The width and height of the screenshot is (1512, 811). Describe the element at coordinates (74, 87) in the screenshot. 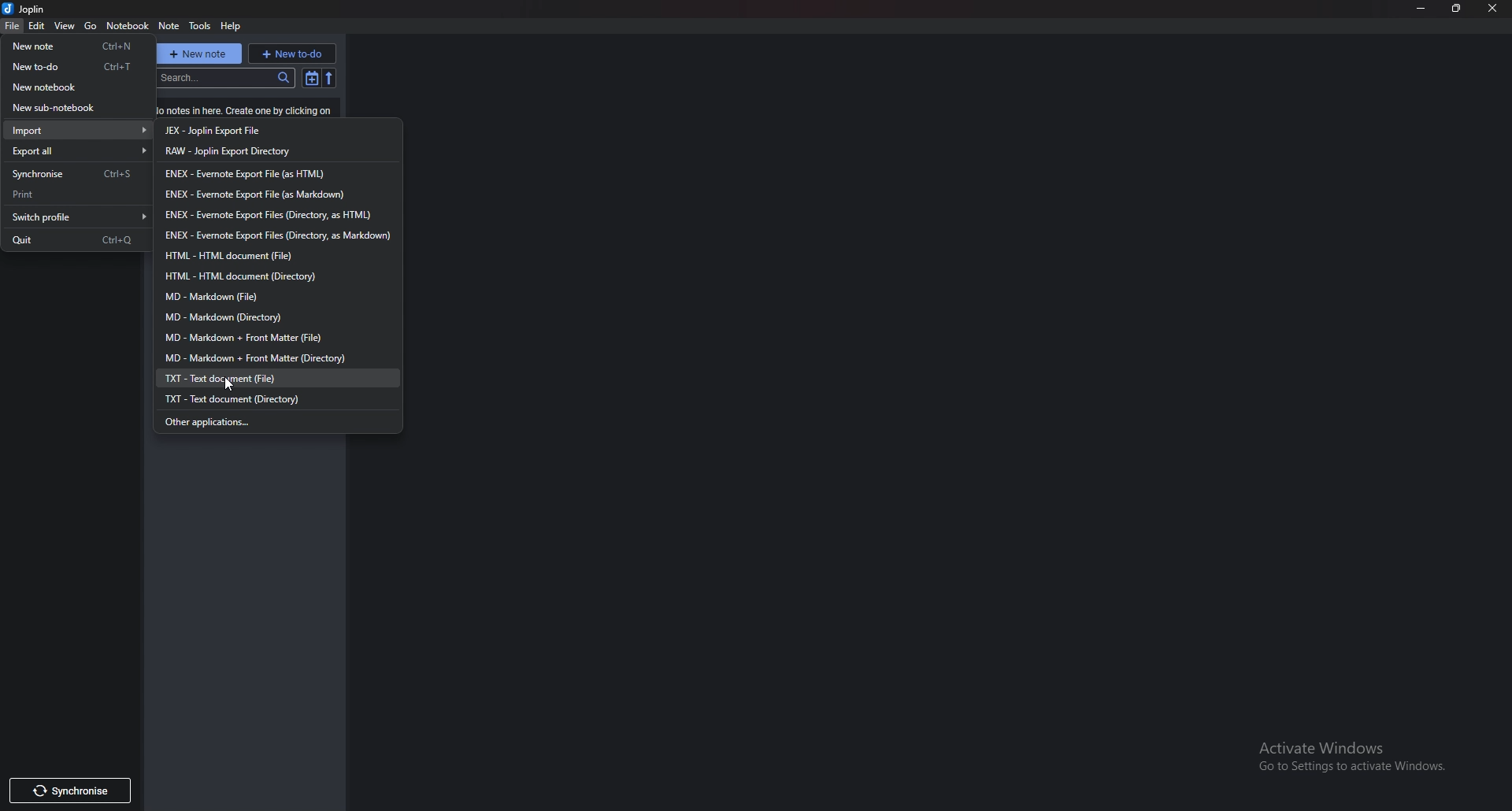

I see `New notebook` at that location.